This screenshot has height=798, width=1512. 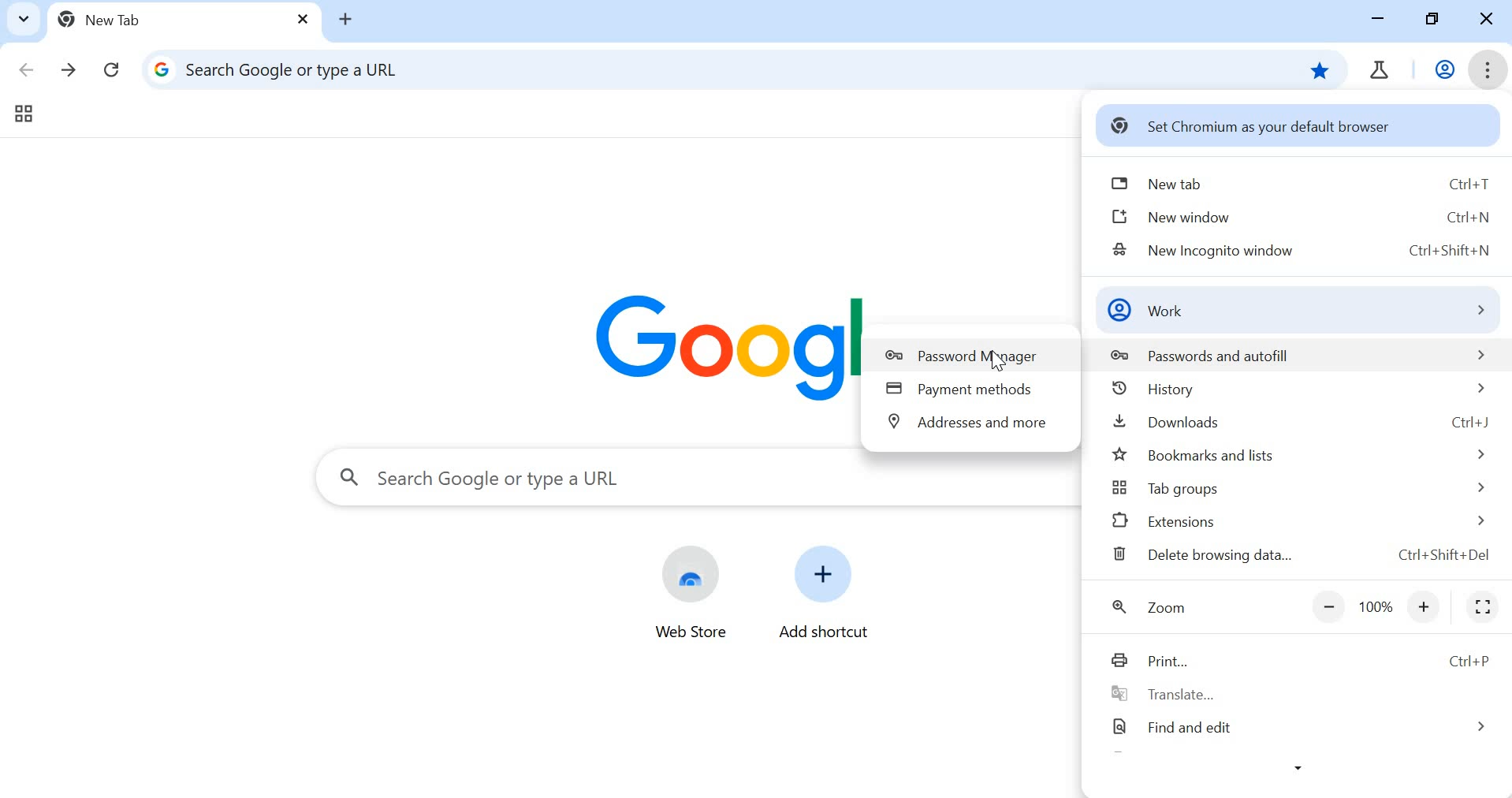 What do you see at coordinates (1289, 355) in the screenshot?
I see `passwords and autofill` at bounding box center [1289, 355].